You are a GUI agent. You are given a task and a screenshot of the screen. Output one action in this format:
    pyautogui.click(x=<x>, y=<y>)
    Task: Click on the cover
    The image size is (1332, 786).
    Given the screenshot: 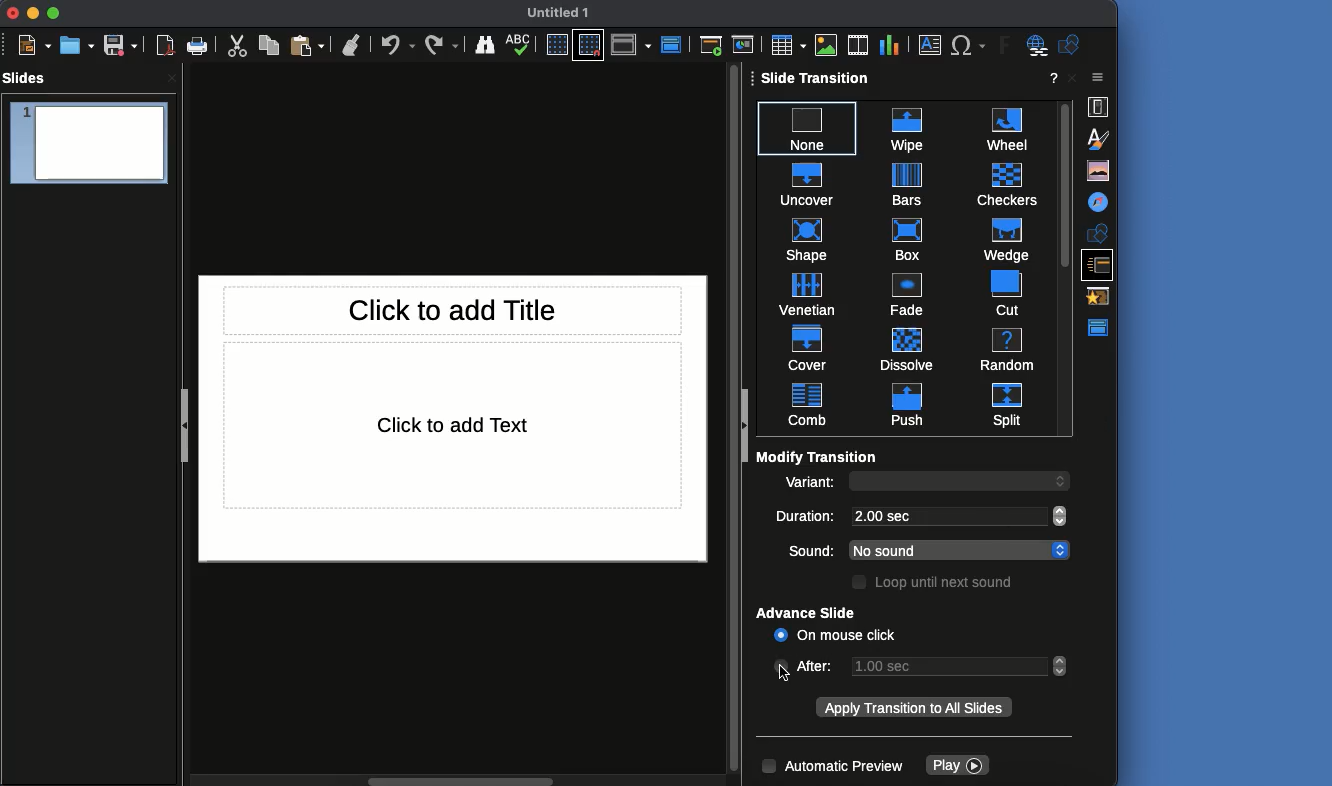 What is the action you would take?
    pyautogui.click(x=809, y=346)
    